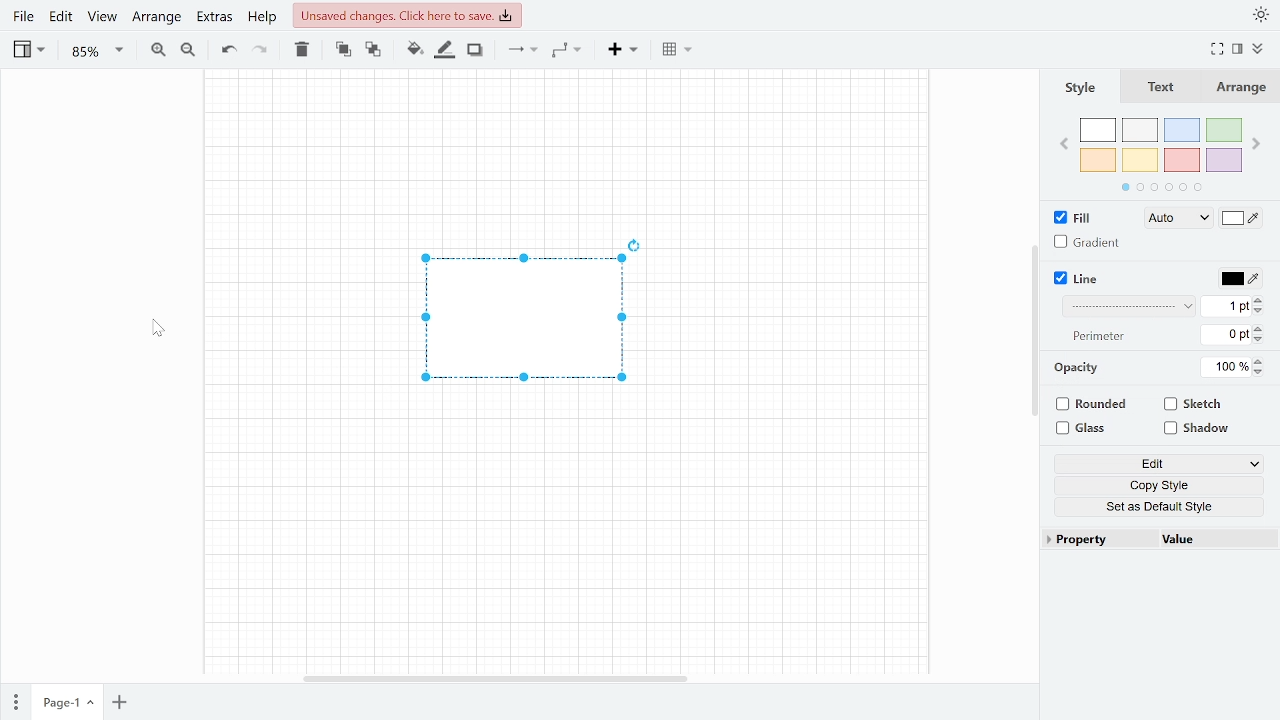  What do you see at coordinates (1033, 325) in the screenshot?
I see `scroll bar` at bounding box center [1033, 325].